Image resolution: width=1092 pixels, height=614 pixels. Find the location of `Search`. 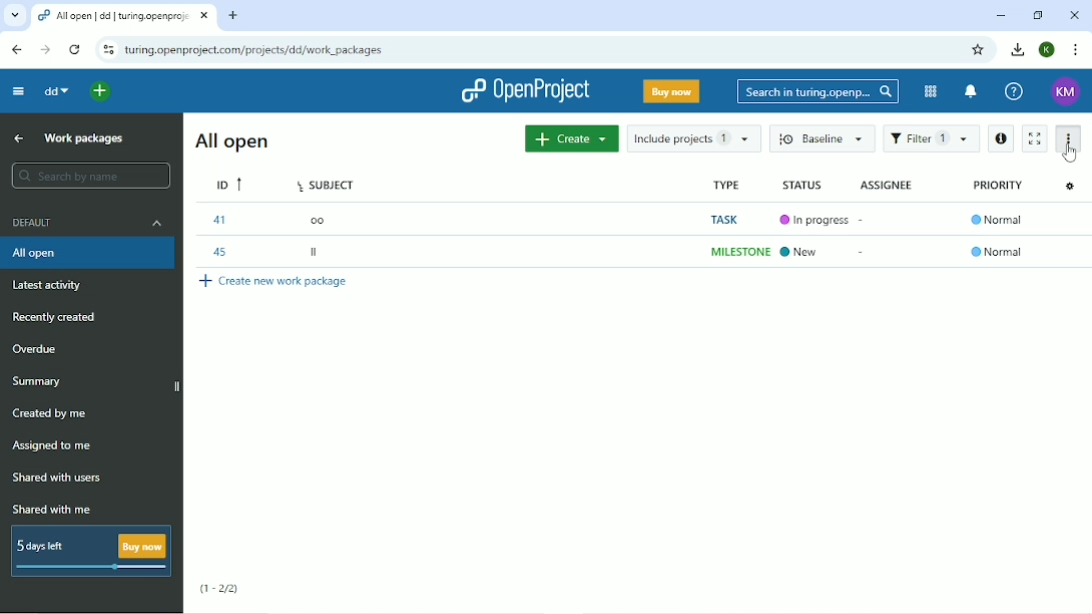

Search is located at coordinates (819, 92).